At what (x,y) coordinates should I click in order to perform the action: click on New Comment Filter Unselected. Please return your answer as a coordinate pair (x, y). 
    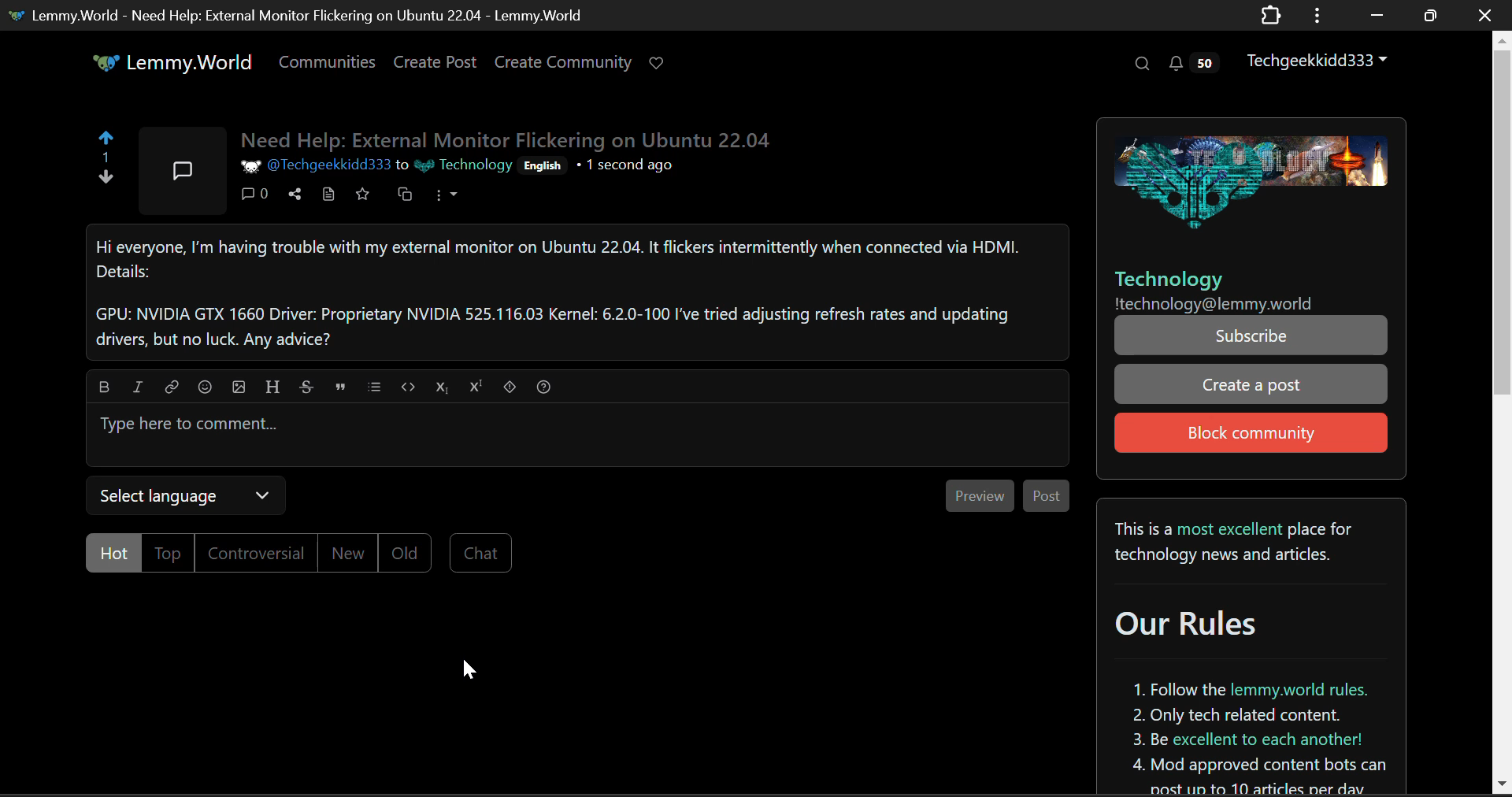
    Looking at the image, I should click on (345, 553).